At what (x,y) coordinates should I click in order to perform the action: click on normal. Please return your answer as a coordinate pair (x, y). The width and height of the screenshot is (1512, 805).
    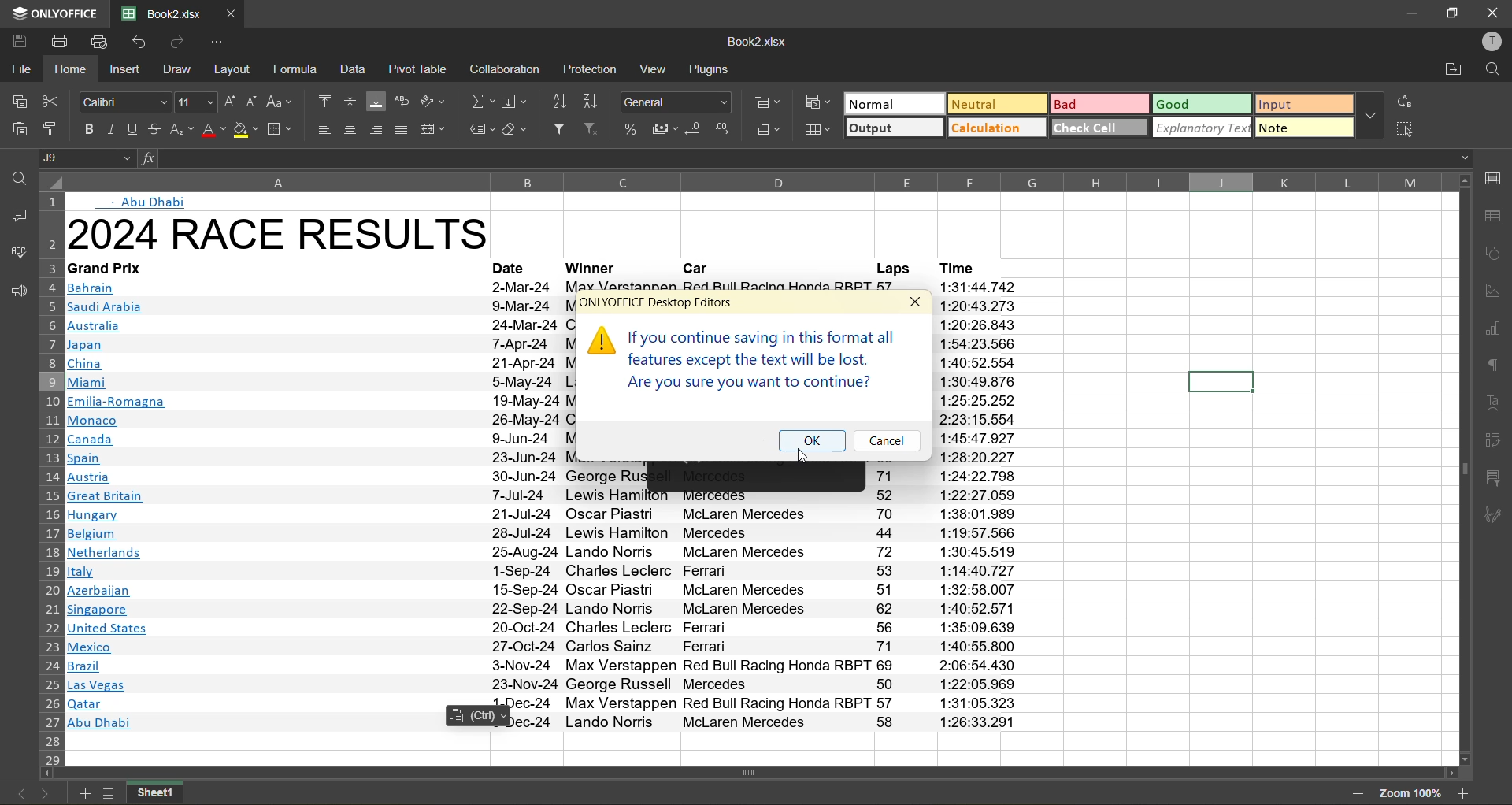
    Looking at the image, I should click on (894, 102).